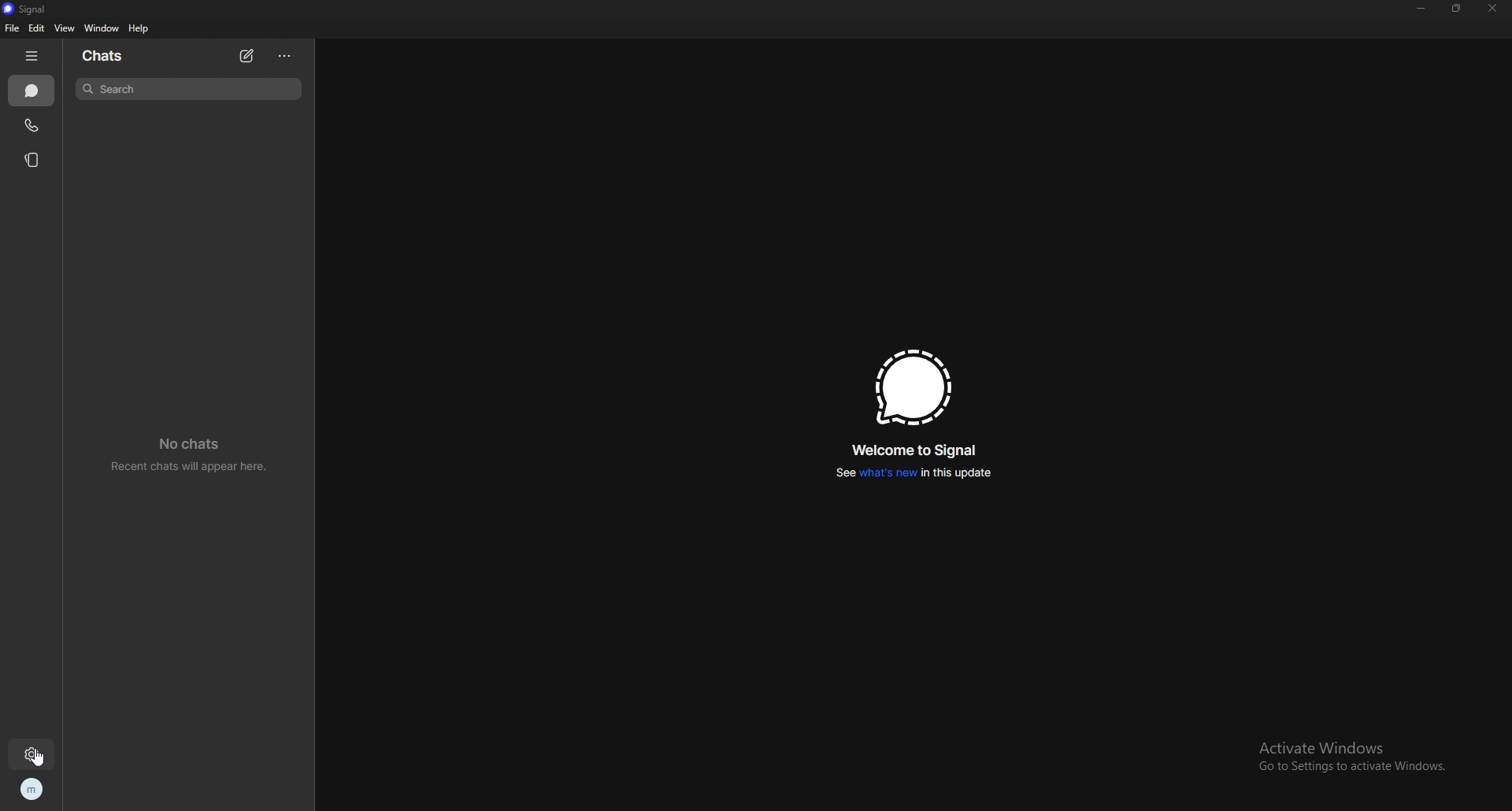 The height and width of the screenshot is (811, 1512). Describe the element at coordinates (103, 28) in the screenshot. I see `window` at that location.